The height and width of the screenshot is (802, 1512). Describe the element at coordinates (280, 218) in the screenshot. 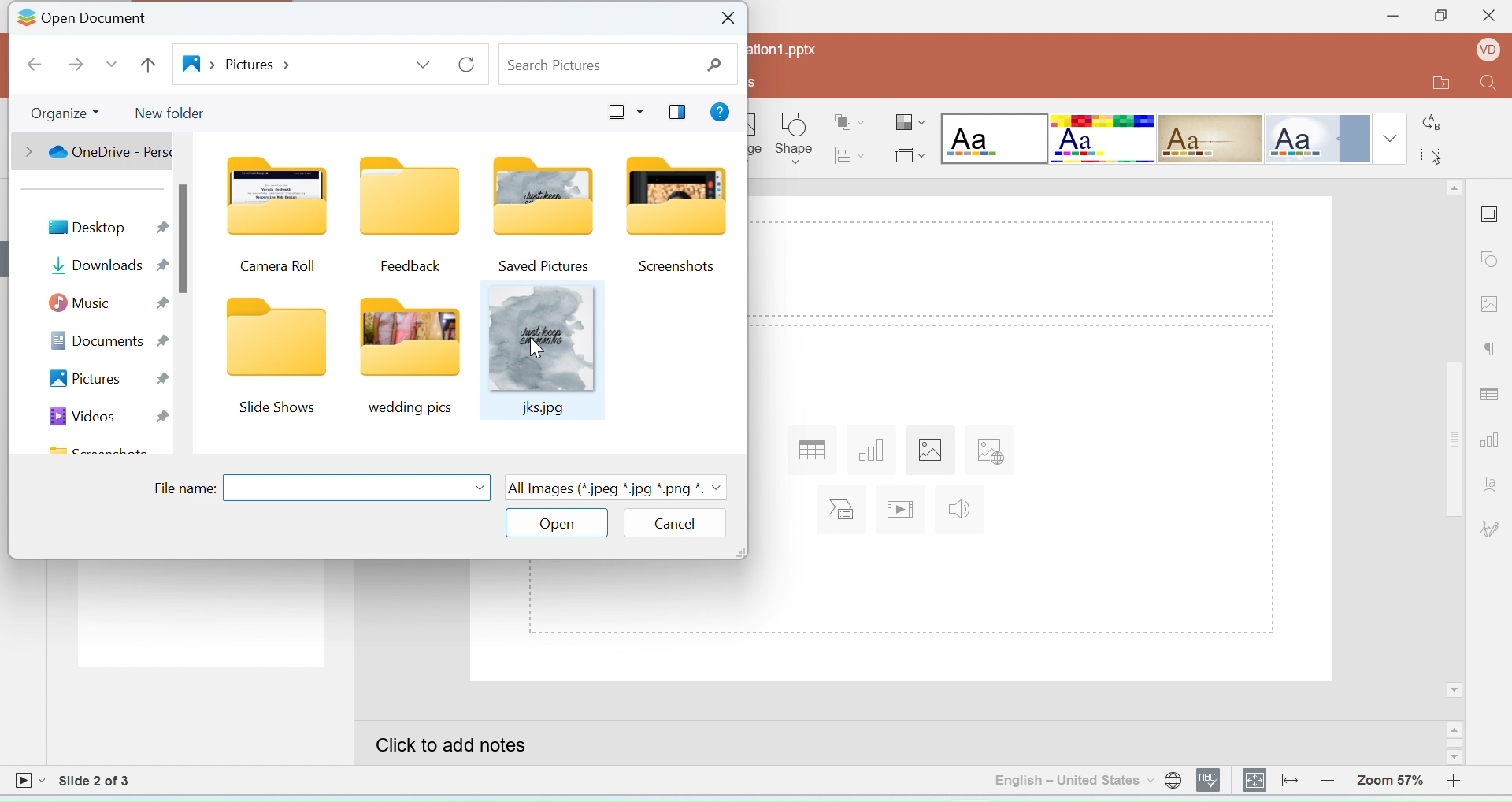

I see `folder-1` at that location.